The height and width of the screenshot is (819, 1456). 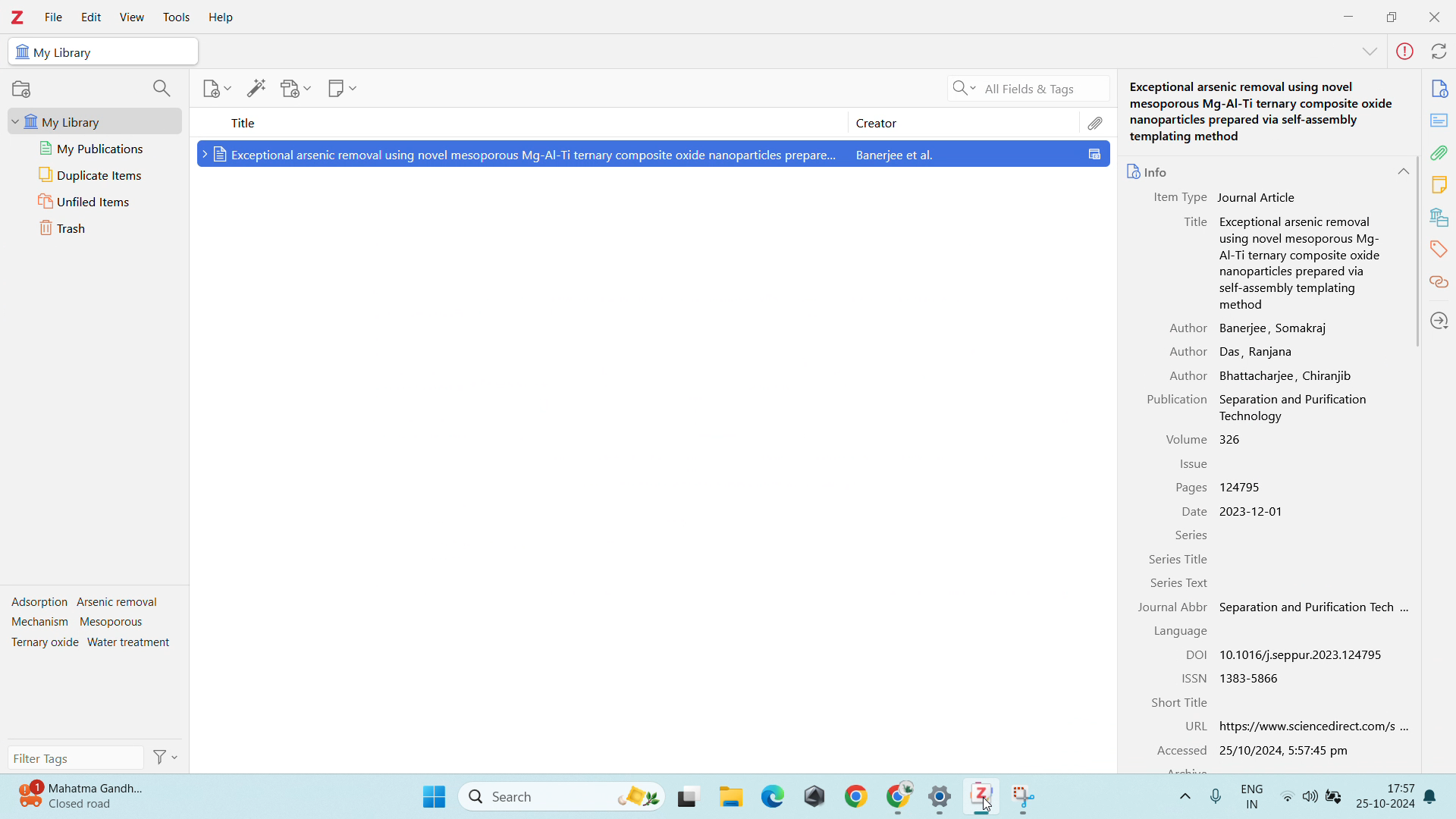 I want to click on attachments, so click(x=1439, y=152).